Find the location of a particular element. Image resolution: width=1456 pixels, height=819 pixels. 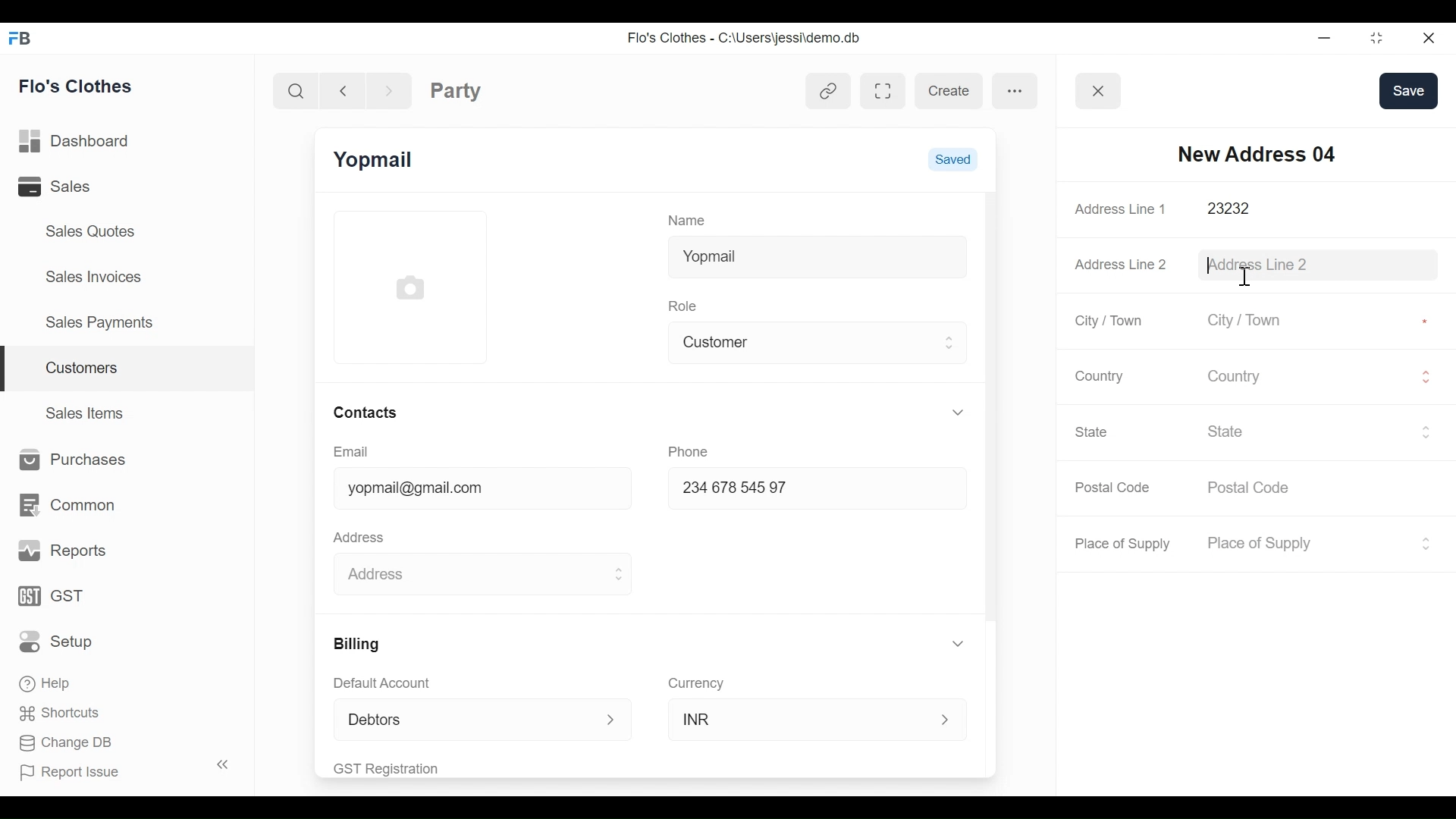

Role is located at coordinates (686, 304).